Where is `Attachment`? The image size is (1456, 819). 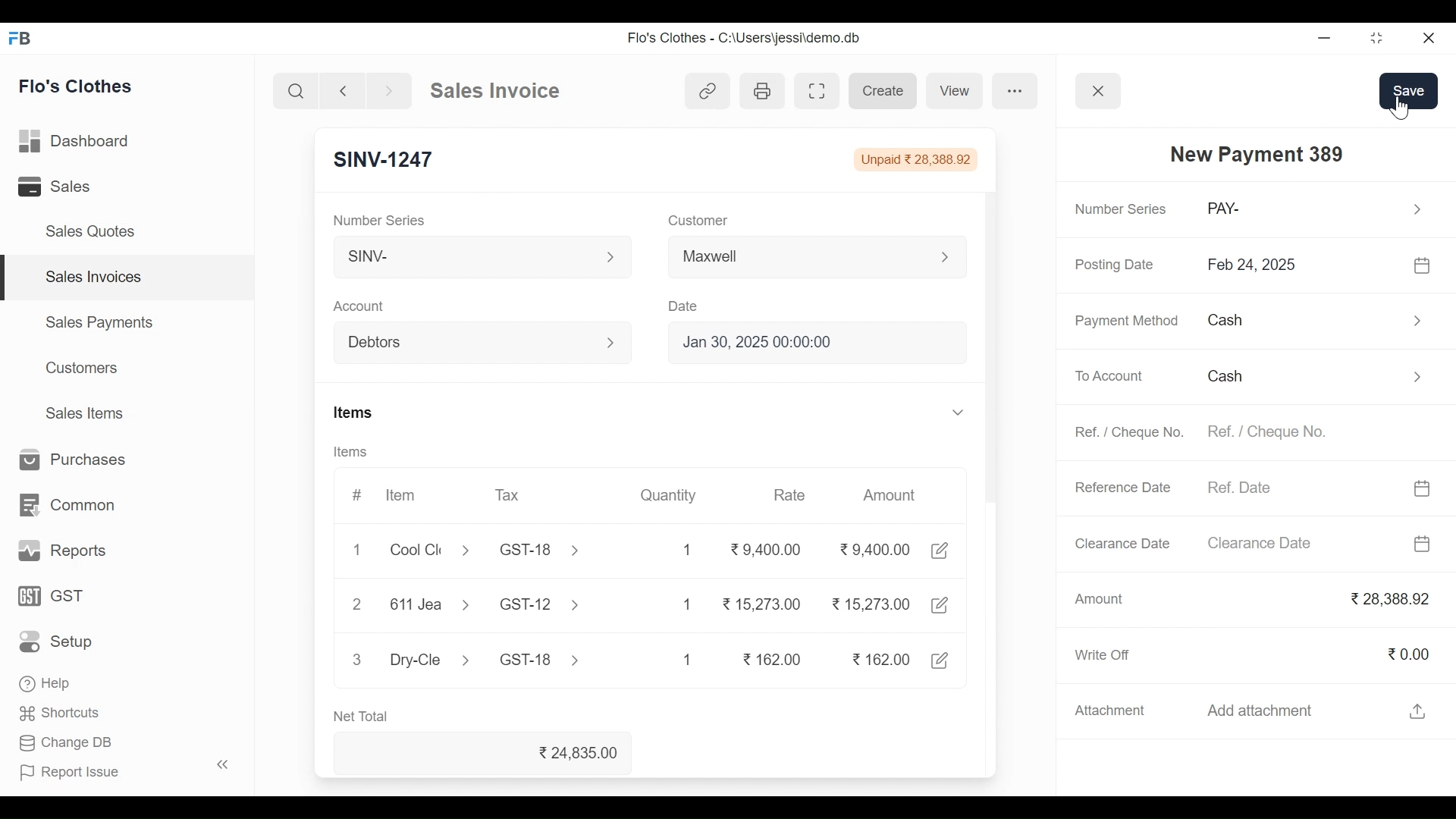
Attachment is located at coordinates (1120, 711).